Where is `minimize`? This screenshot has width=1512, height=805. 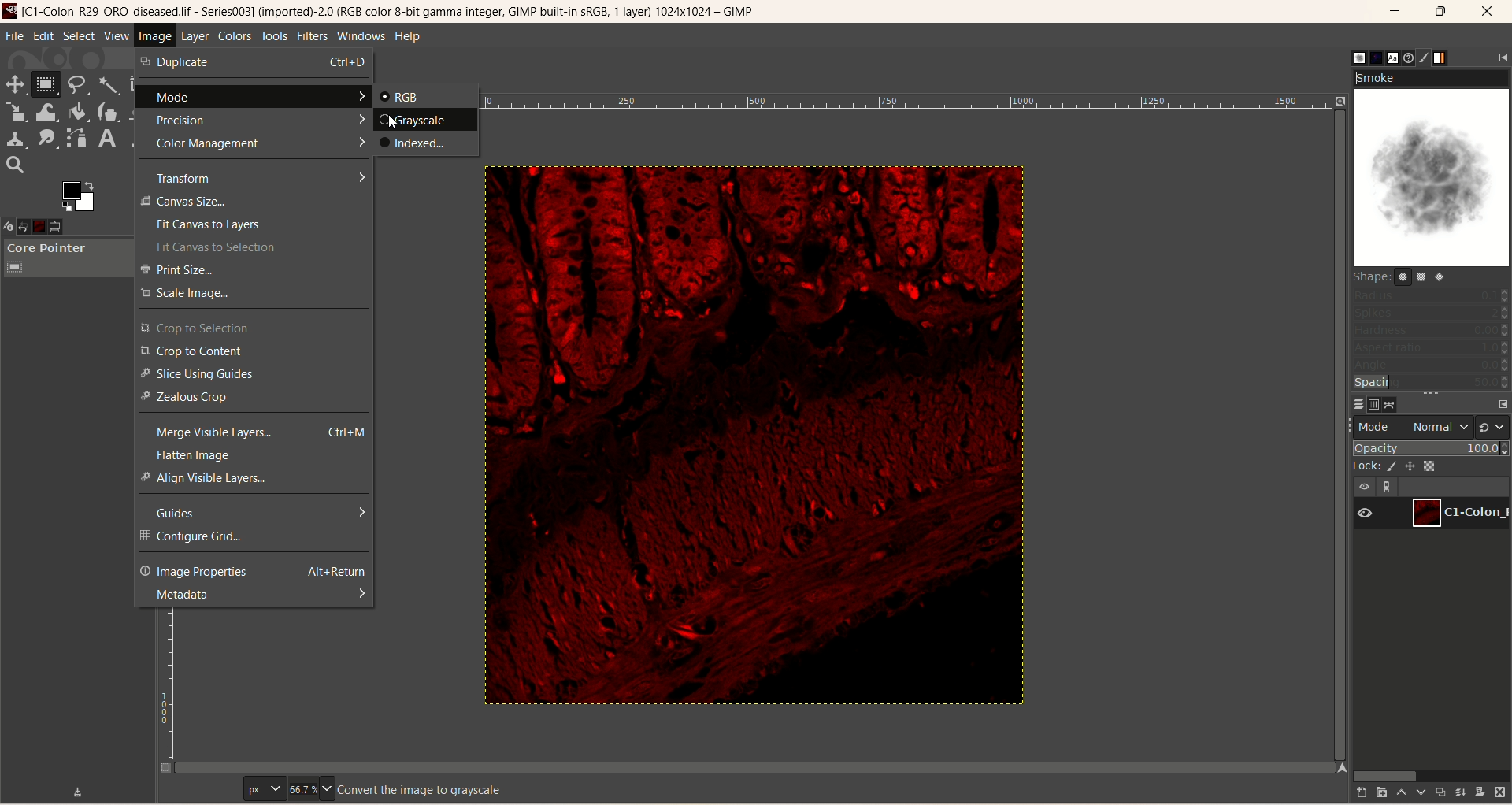 minimize is located at coordinates (1396, 10).